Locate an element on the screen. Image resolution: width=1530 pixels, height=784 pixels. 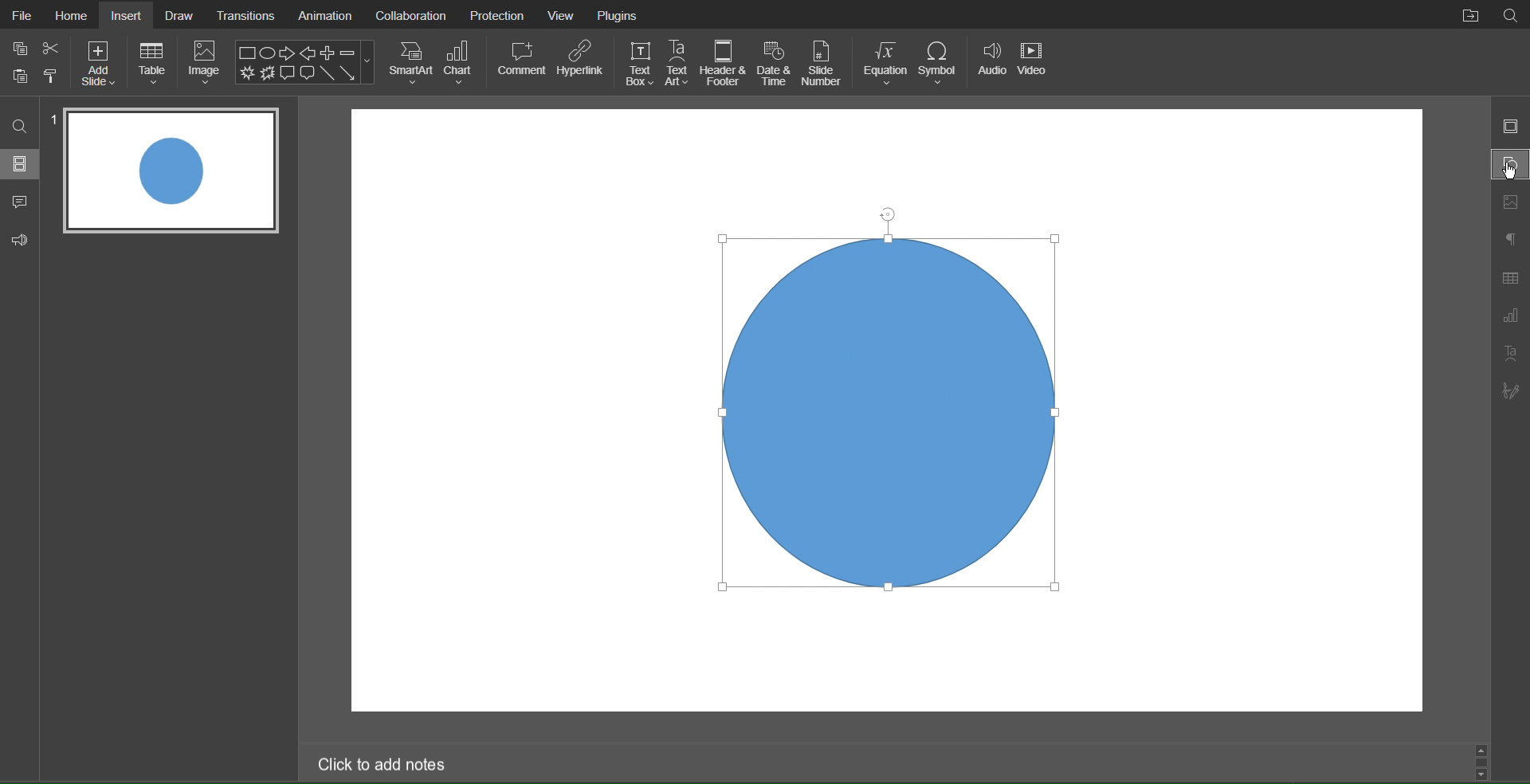
Date and Time is located at coordinates (775, 62).